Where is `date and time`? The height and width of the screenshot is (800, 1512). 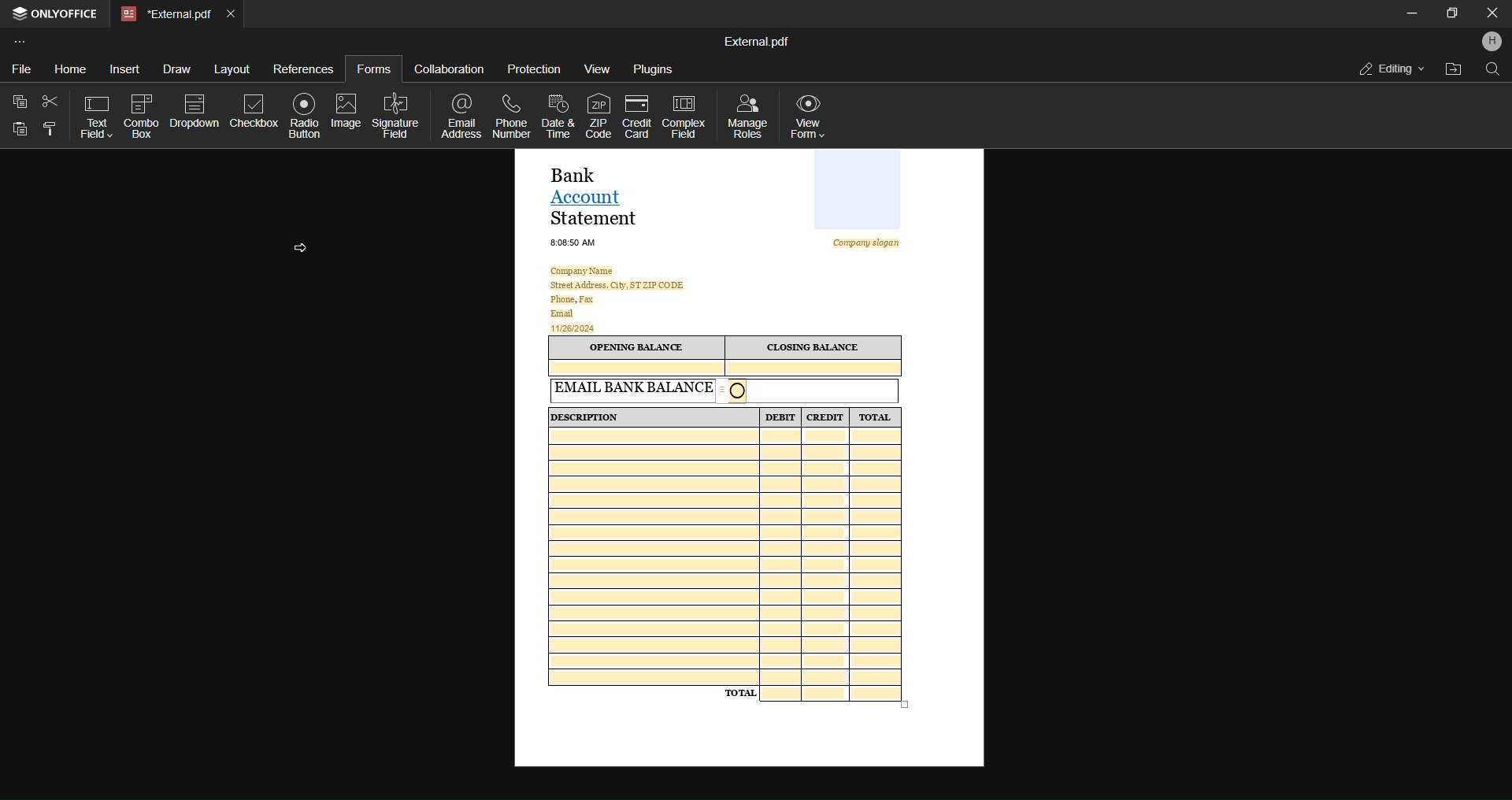 date and time is located at coordinates (558, 115).